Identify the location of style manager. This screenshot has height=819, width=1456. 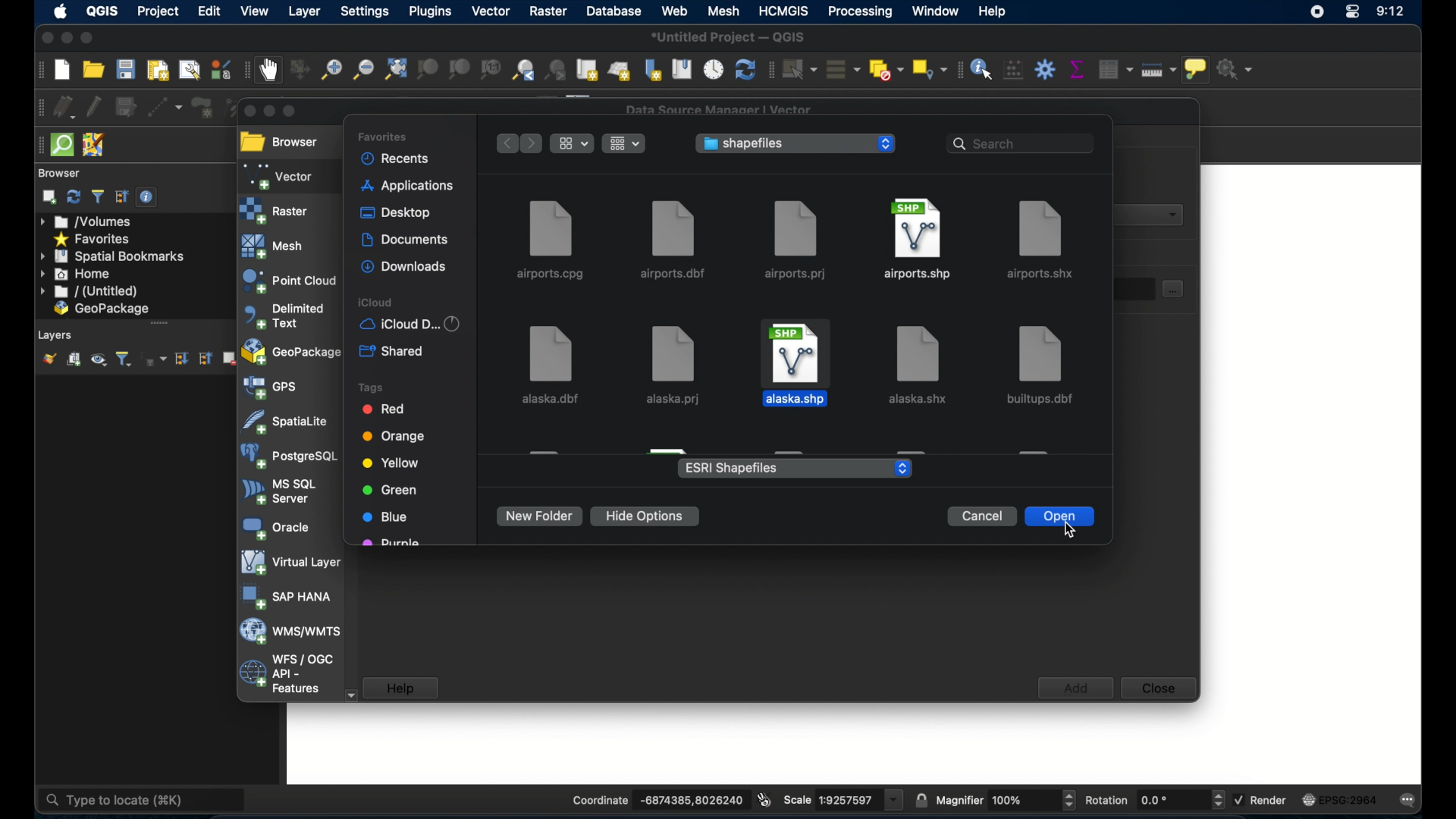
(220, 68).